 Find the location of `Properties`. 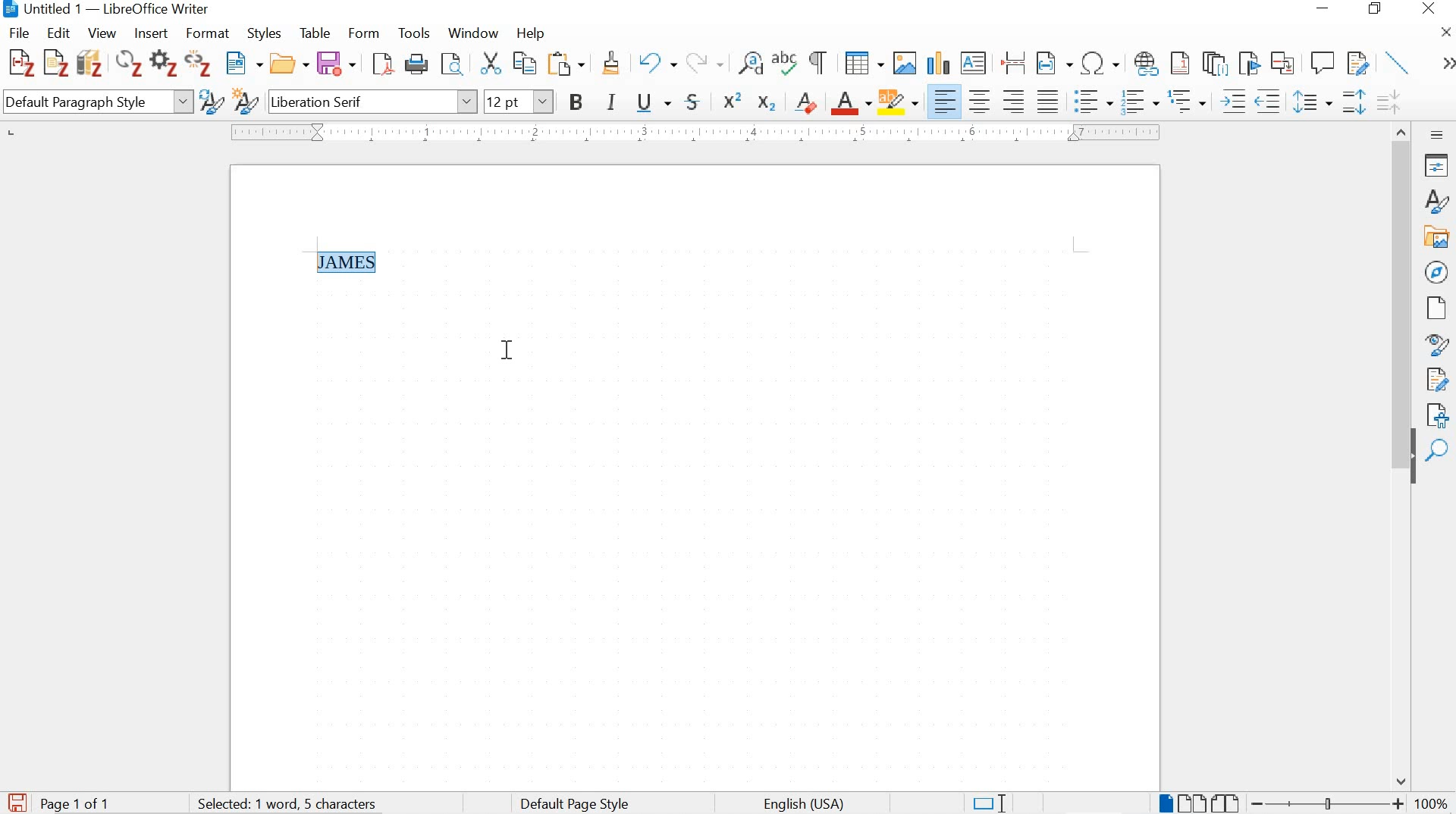

Properties is located at coordinates (1439, 165).